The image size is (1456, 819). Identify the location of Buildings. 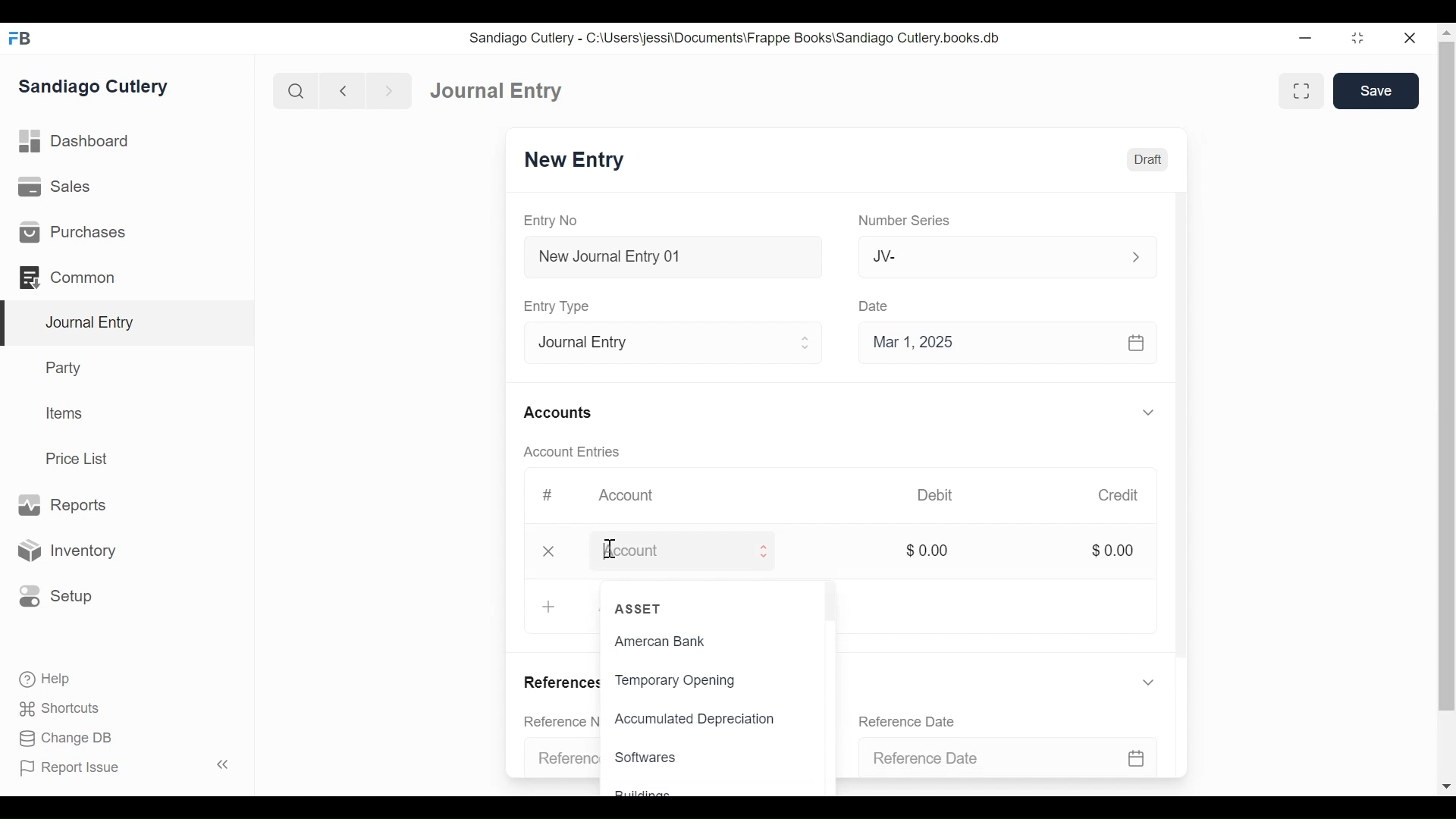
(646, 792).